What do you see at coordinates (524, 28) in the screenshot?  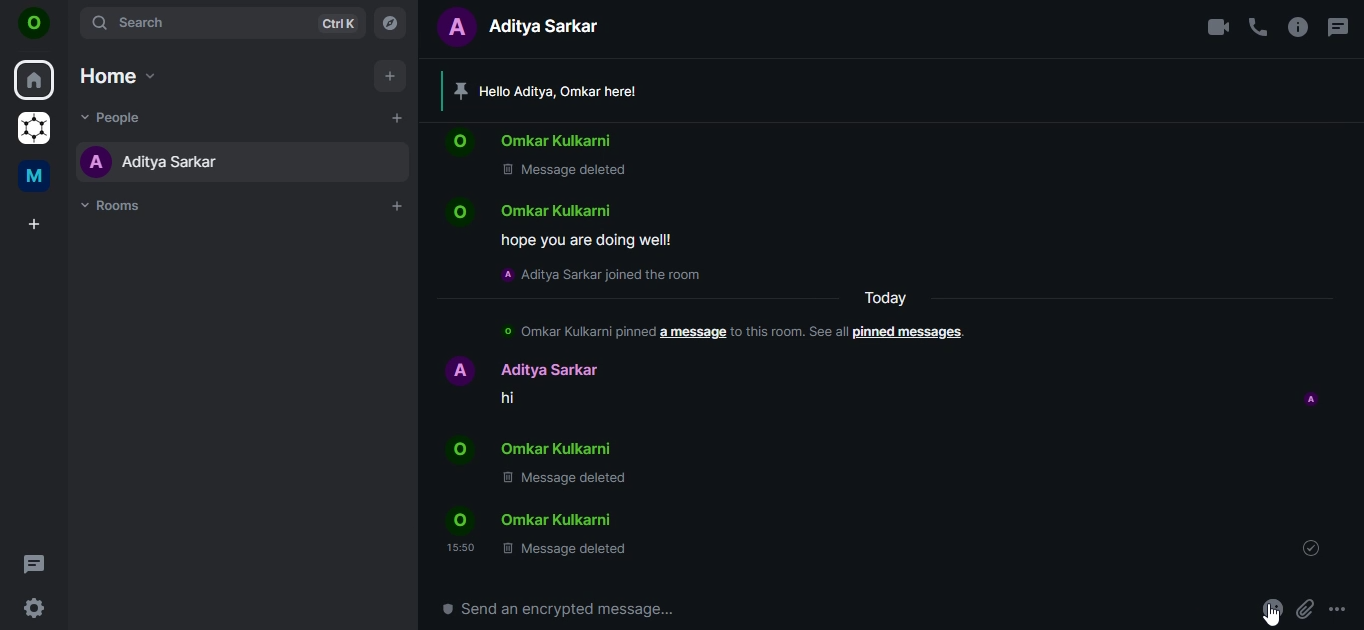 I see `text` at bounding box center [524, 28].